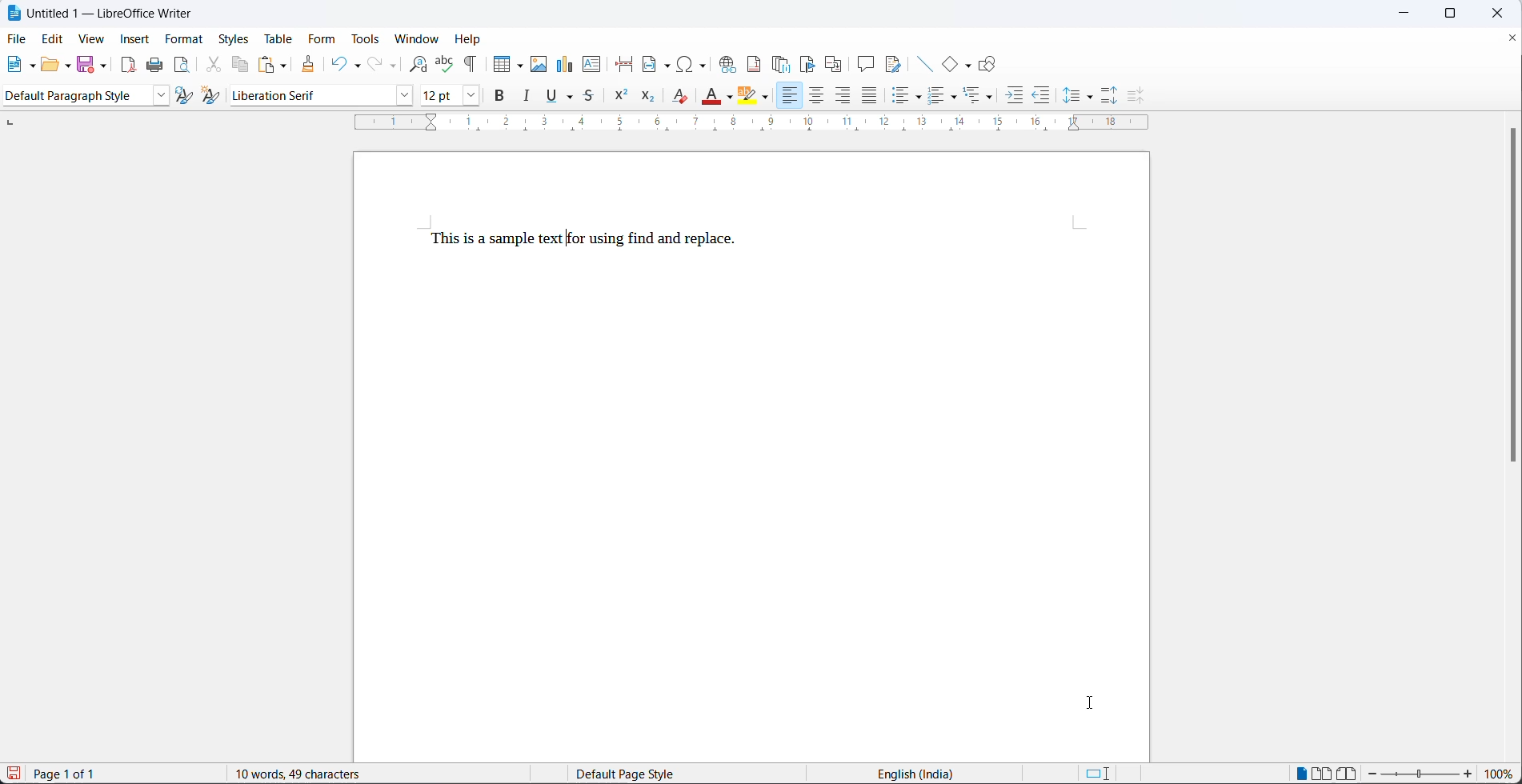  What do you see at coordinates (1512, 41) in the screenshot?
I see `close document` at bounding box center [1512, 41].